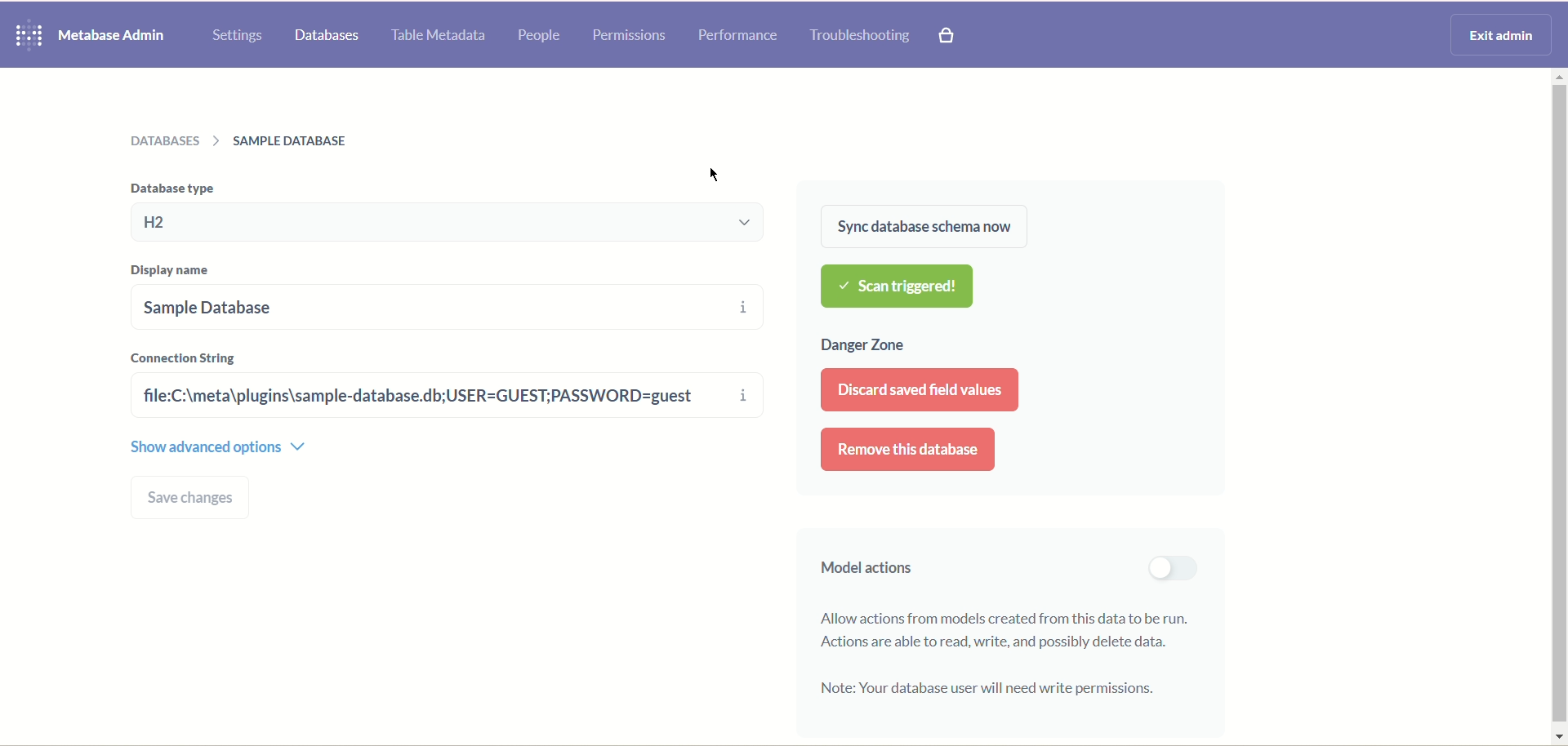 This screenshot has height=746, width=1568. I want to click on save changes, so click(193, 498).